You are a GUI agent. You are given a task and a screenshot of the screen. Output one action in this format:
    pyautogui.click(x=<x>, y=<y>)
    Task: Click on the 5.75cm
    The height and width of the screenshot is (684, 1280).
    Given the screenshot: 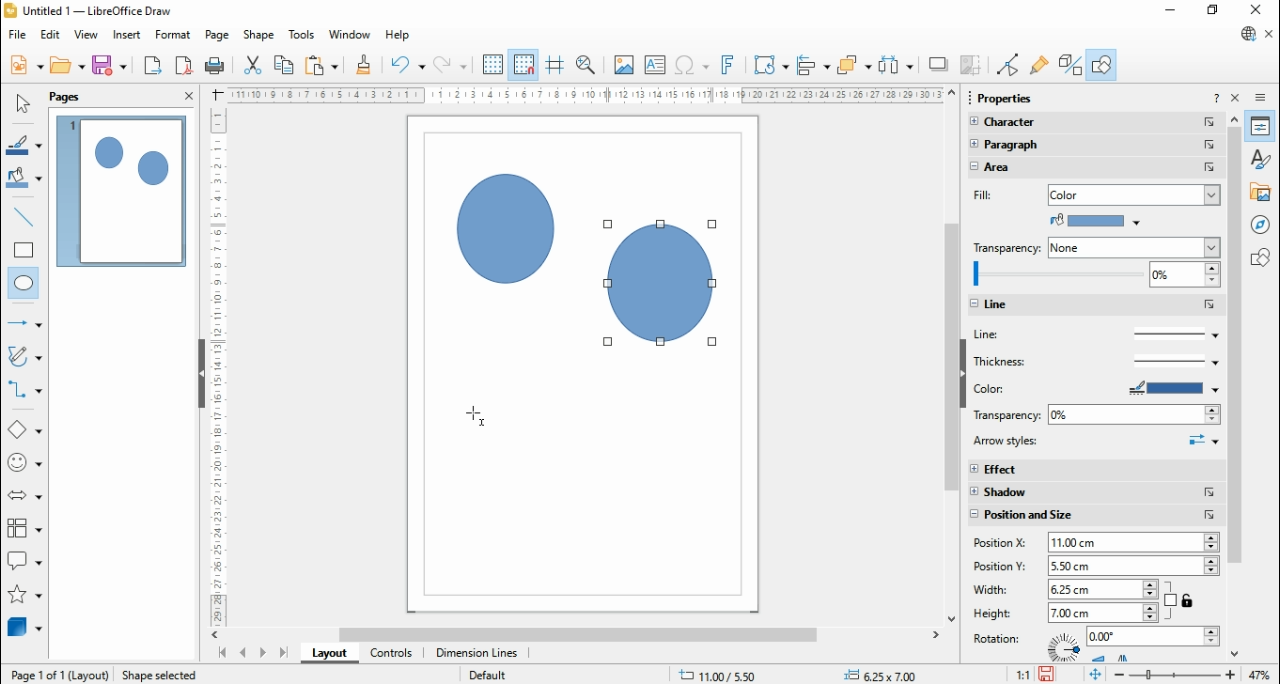 What is the action you would take?
    pyautogui.click(x=1103, y=588)
    